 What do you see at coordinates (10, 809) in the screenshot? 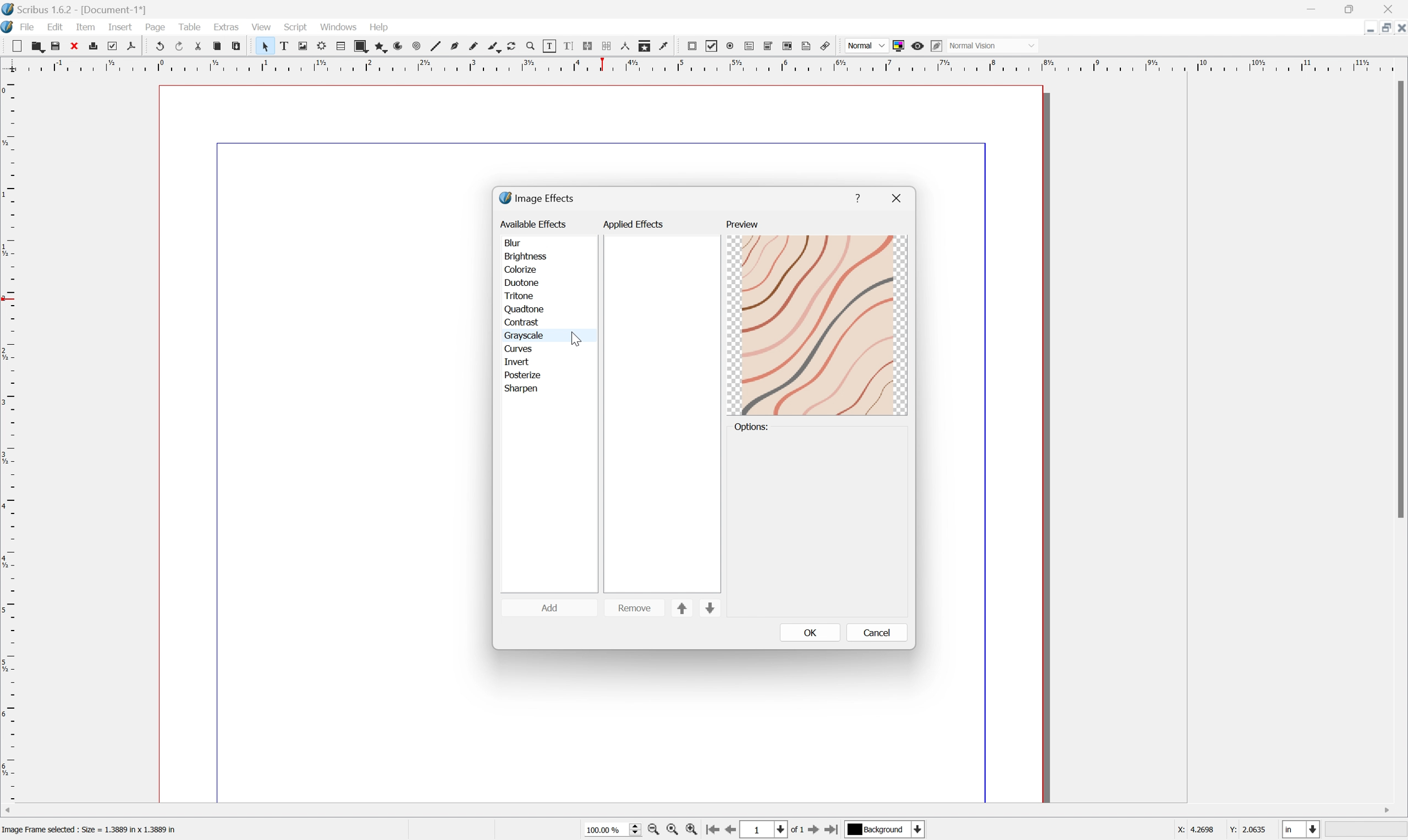
I see `Scroll left` at bounding box center [10, 809].